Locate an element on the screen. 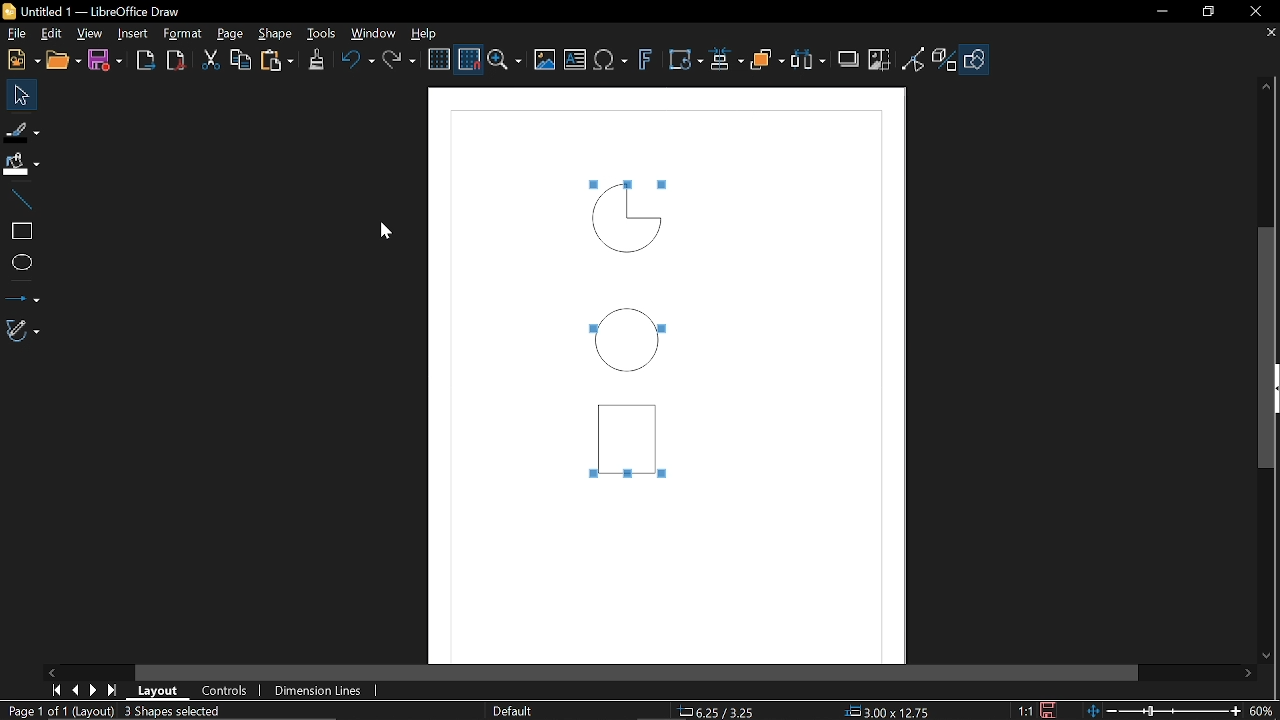 The image size is (1280, 720). Untitled 1 — LibreOffice Draw is located at coordinates (111, 11).